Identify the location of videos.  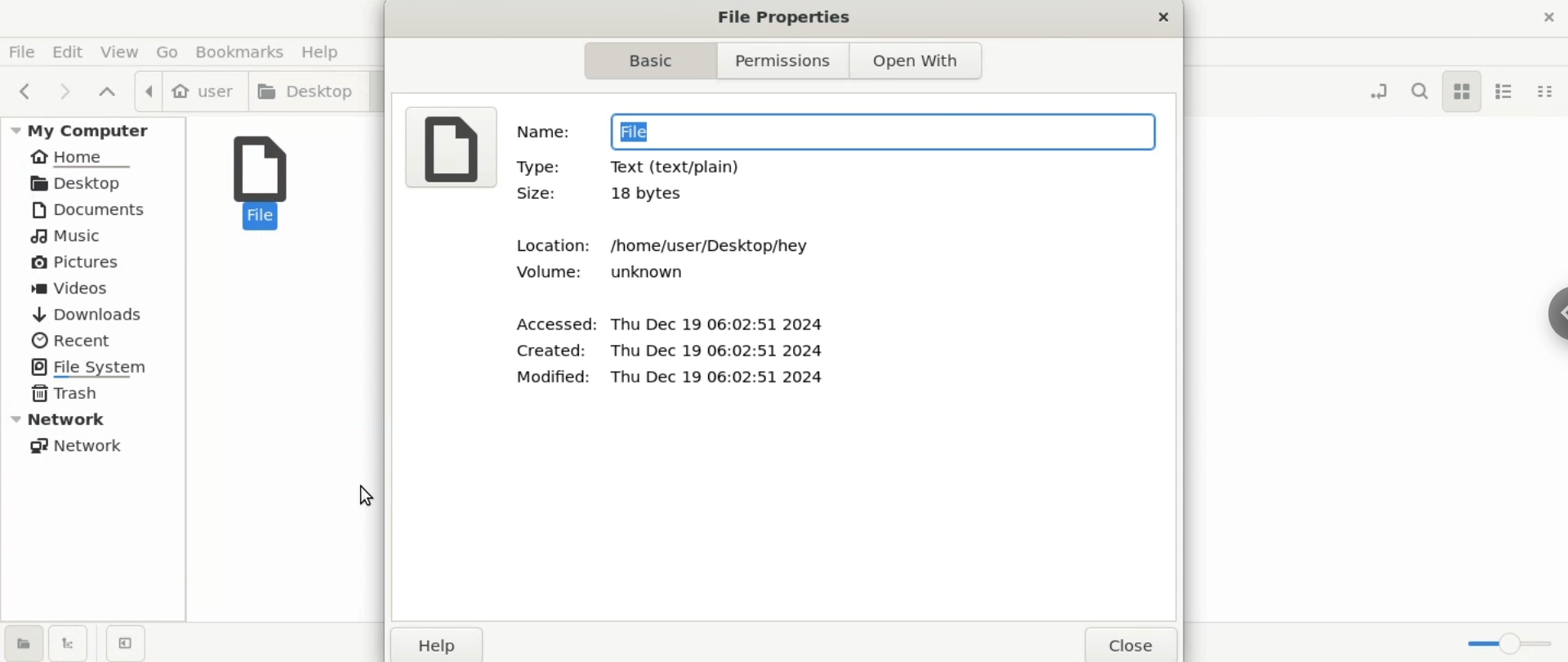
(93, 288).